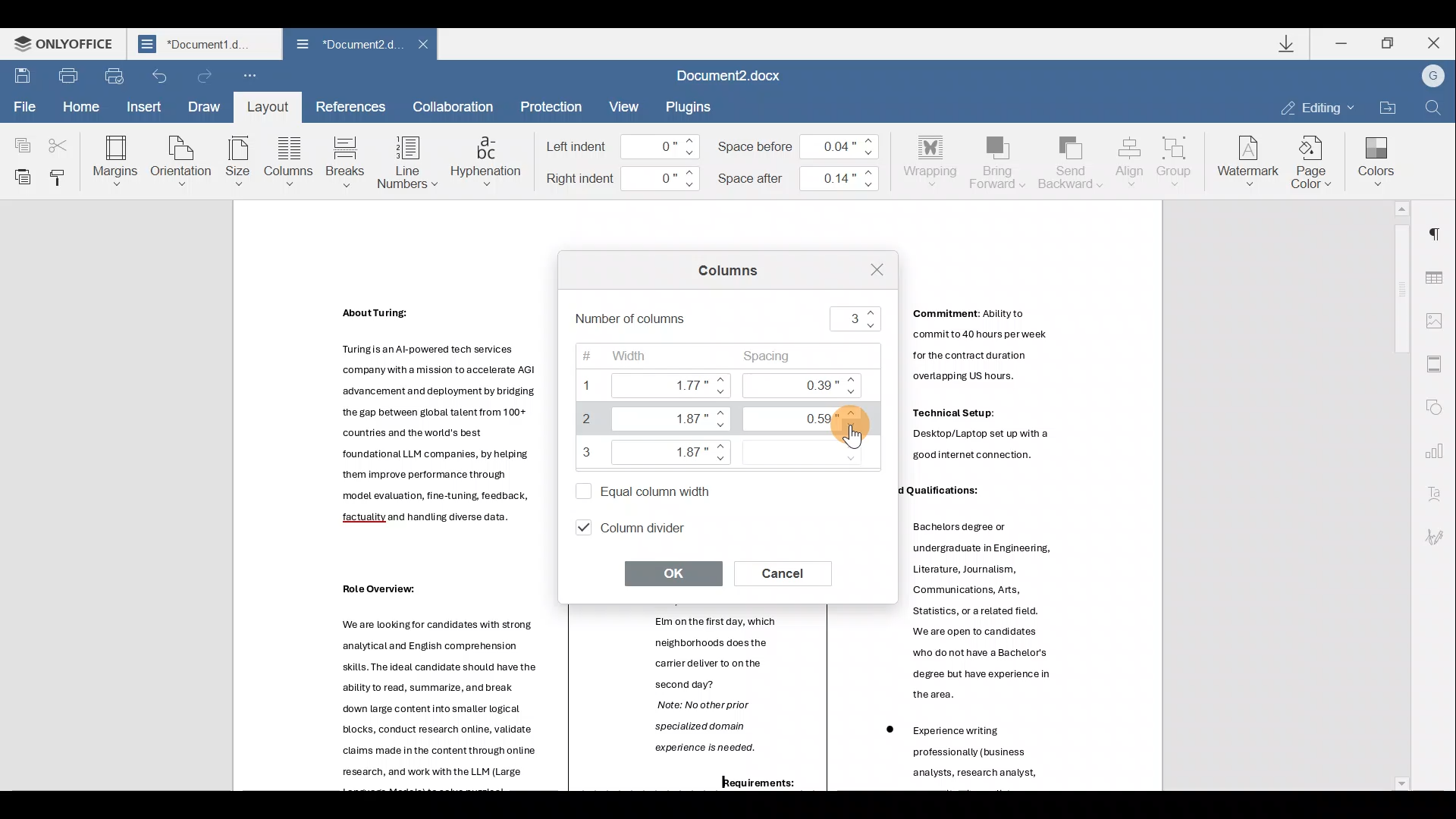  What do you see at coordinates (1441, 228) in the screenshot?
I see `Paragraph settings` at bounding box center [1441, 228].